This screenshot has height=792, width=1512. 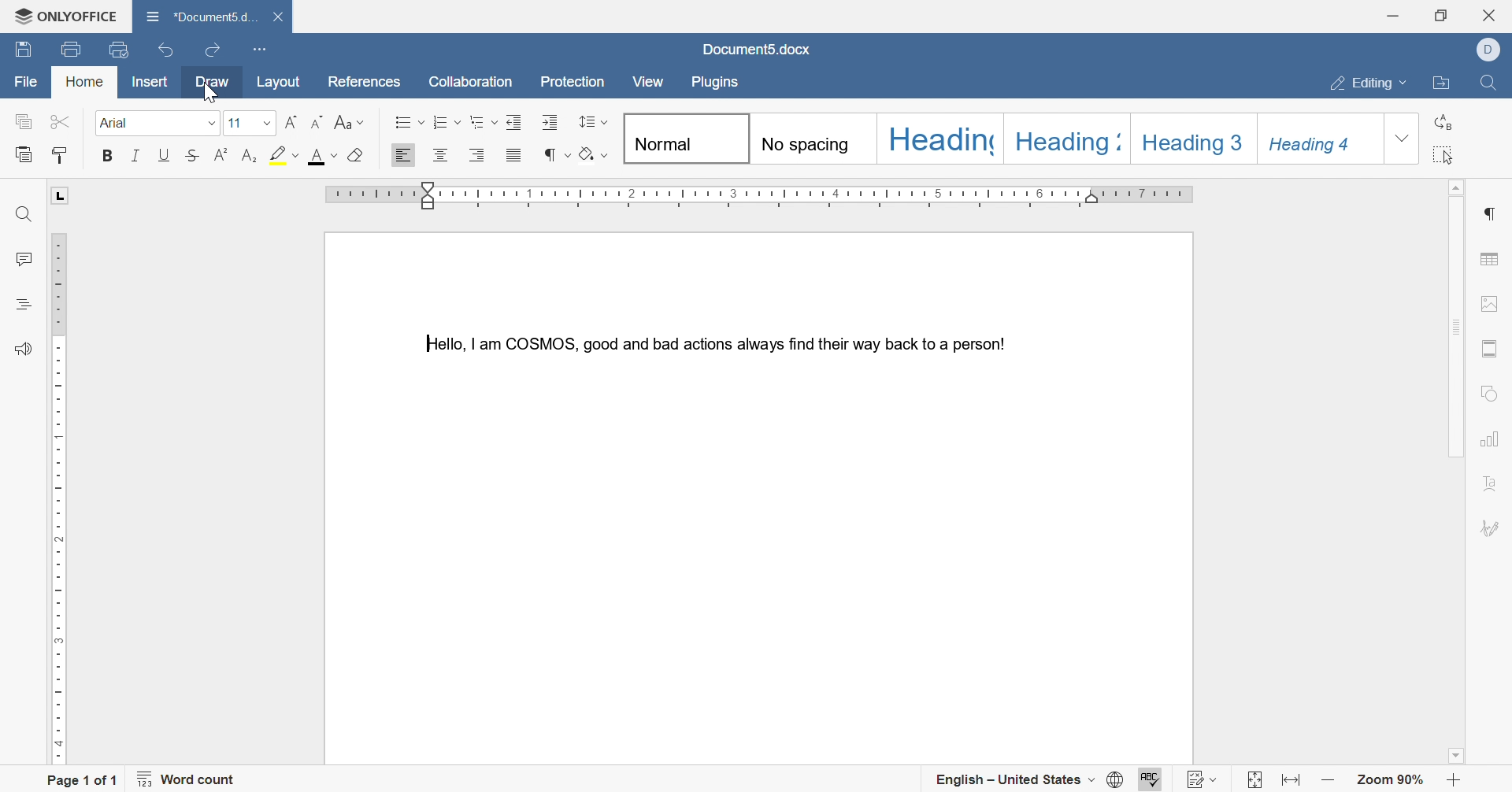 I want to click on font color, so click(x=324, y=156).